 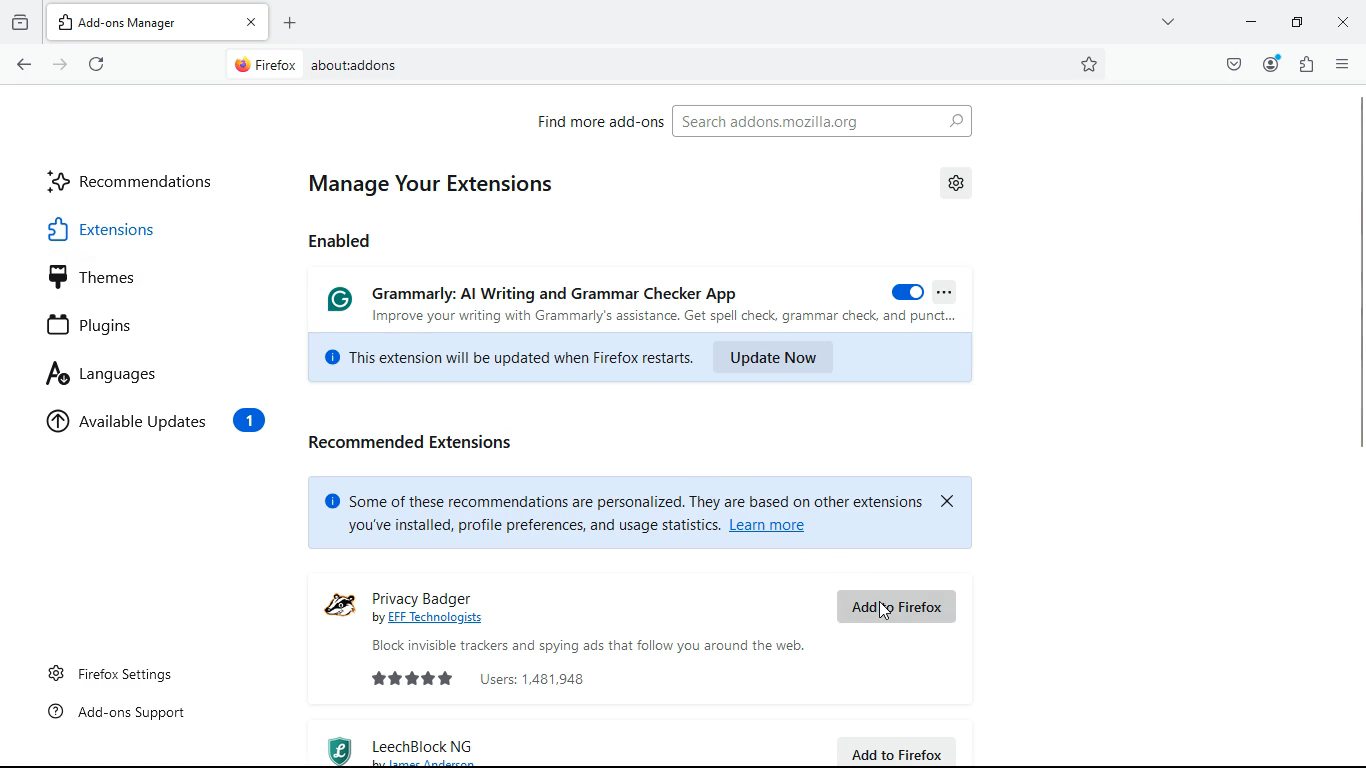 What do you see at coordinates (427, 443) in the screenshot?
I see `recommended extensions` at bounding box center [427, 443].